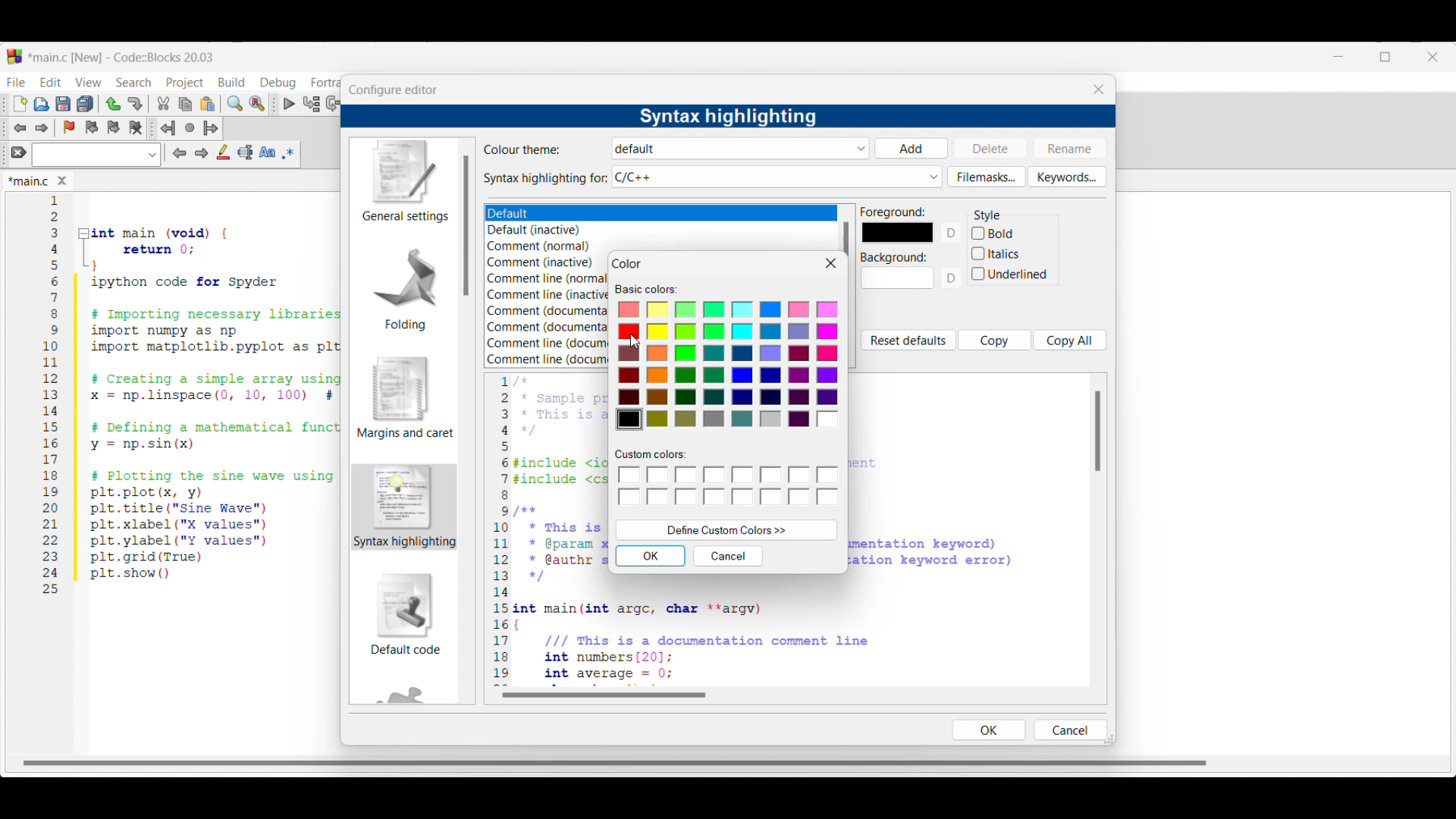 Image resolution: width=1456 pixels, height=819 pixels. Describe the element at coordinates (85, 103) in the screenshot. I see `Save everything` at that location.